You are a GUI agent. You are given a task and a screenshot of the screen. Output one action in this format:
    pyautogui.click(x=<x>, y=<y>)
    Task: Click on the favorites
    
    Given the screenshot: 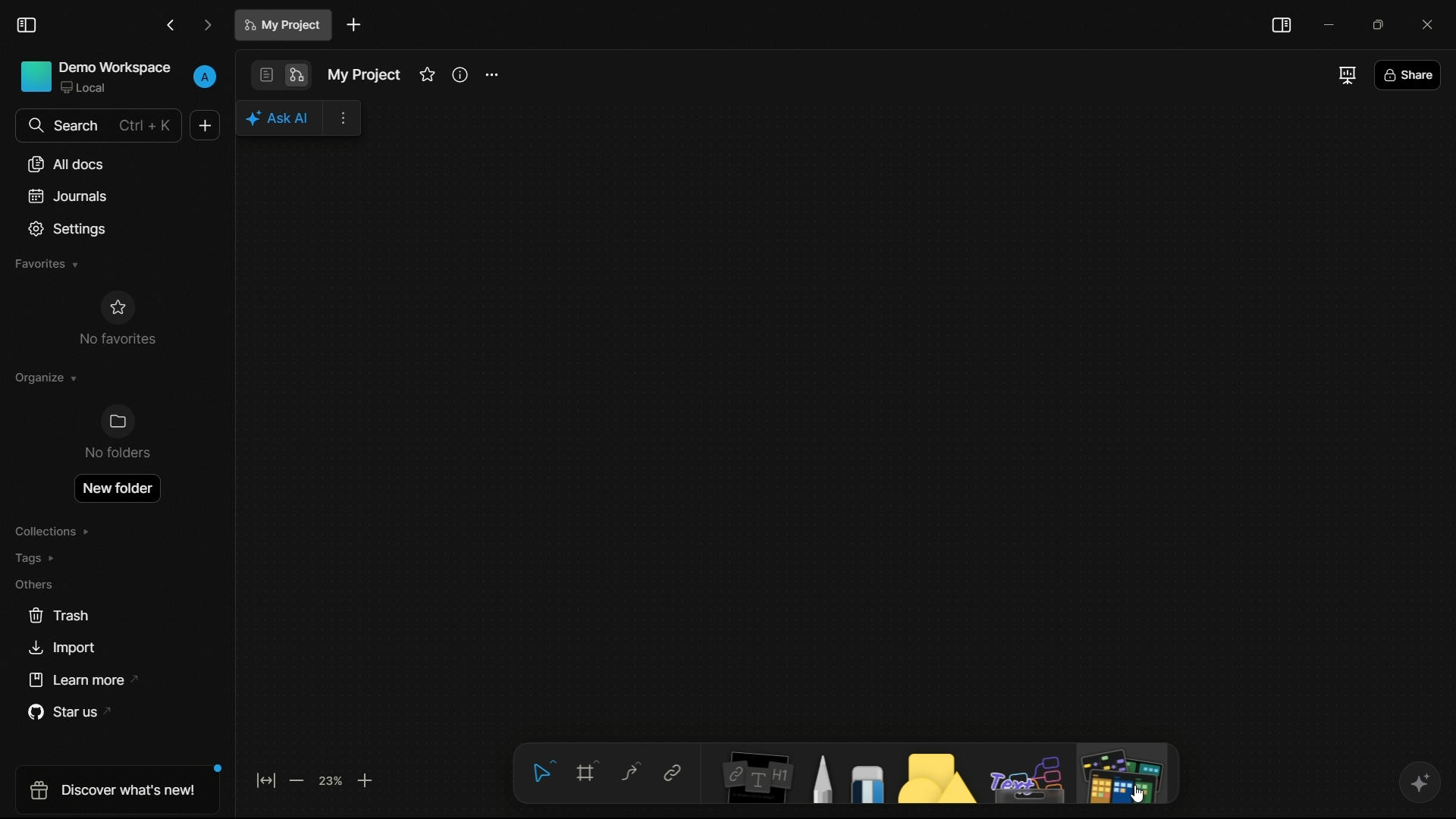 What is the action you would take?
    pyautogui.click(x=45, y=264)
    